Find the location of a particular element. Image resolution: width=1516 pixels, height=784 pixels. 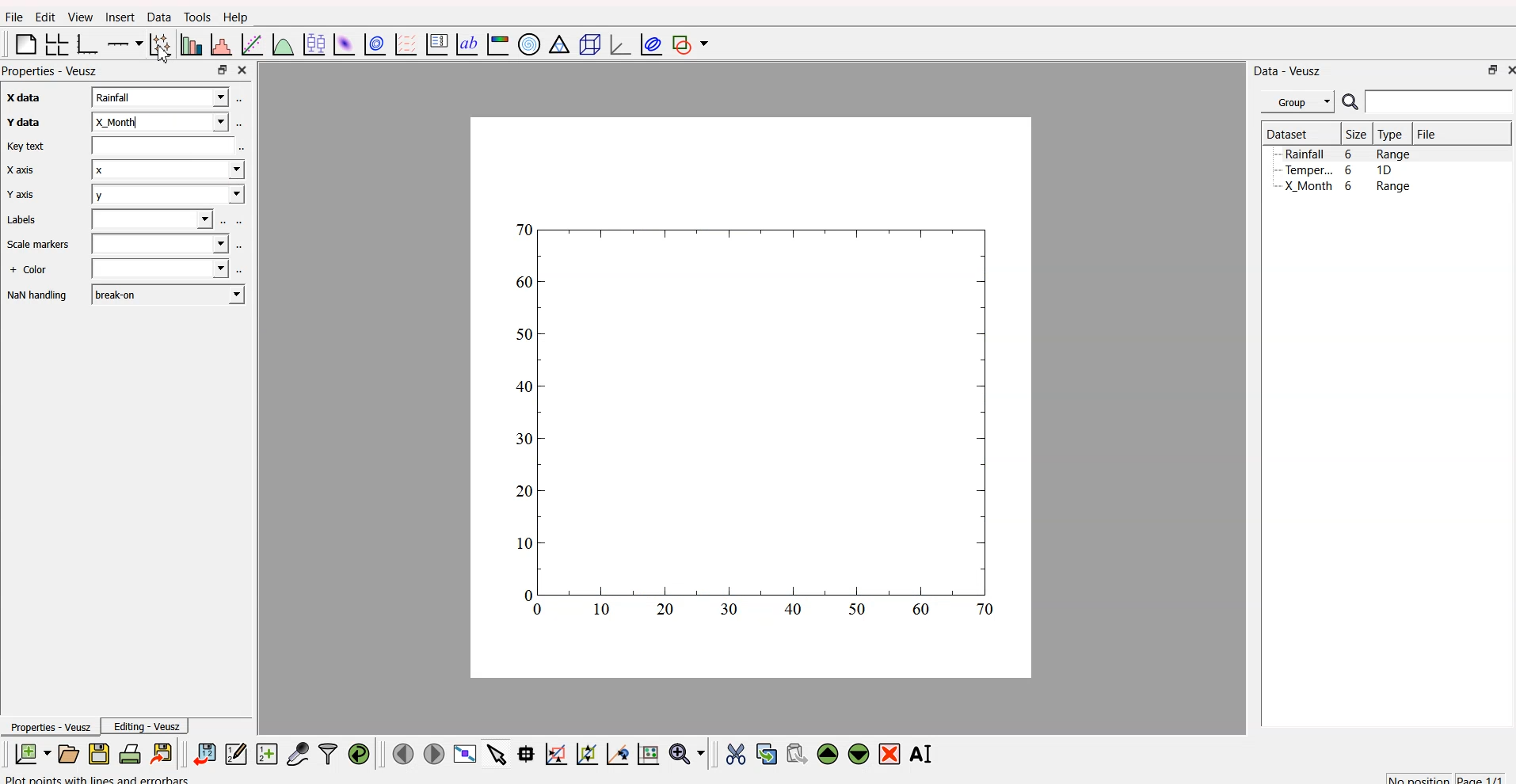

canvas is located at coordinates (752, 400).